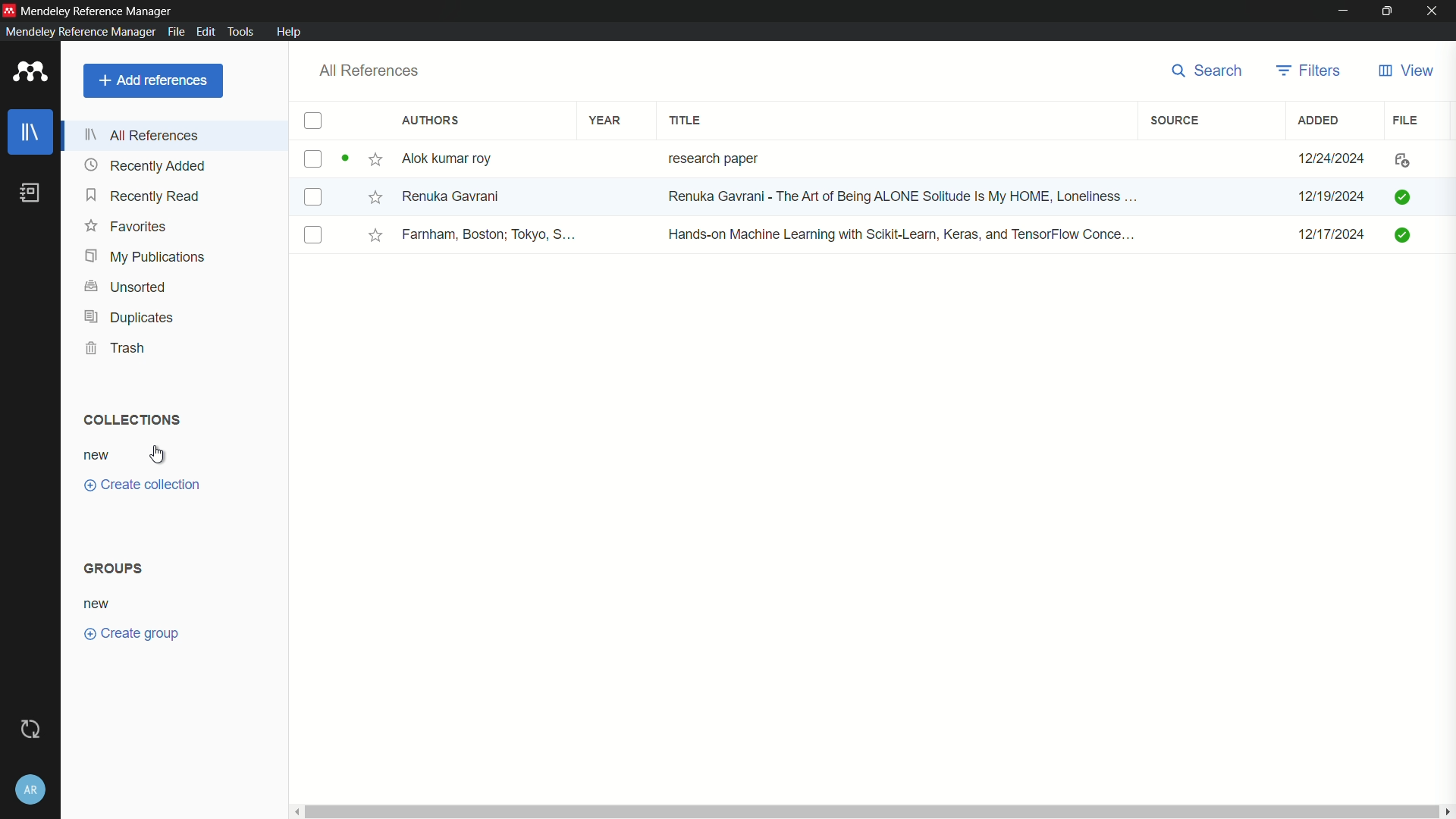 The image size is (1456, 819). What do you see at coordinates (143, 135) in the screenshot?
I see `all references` at bounding box center [143, 135].